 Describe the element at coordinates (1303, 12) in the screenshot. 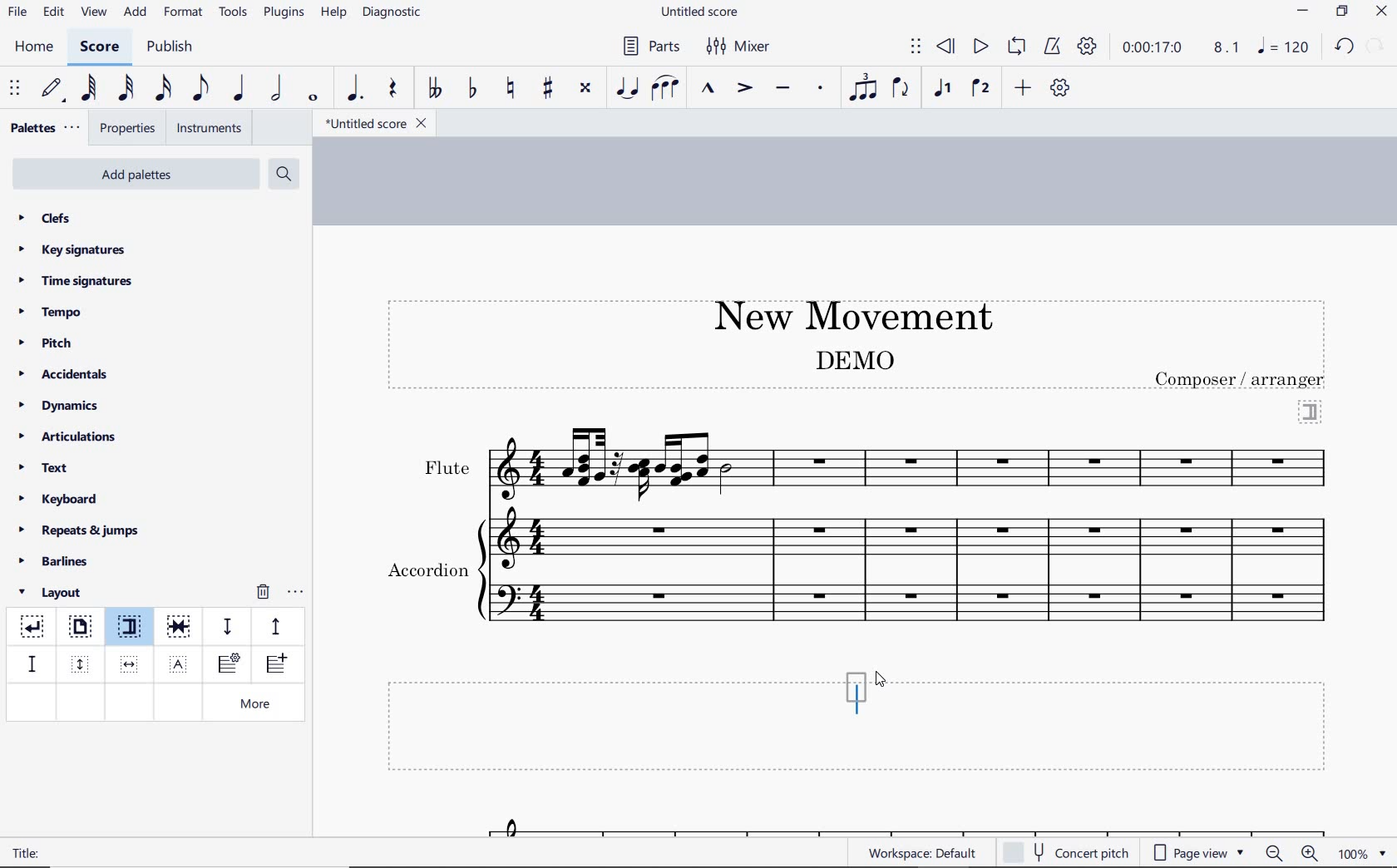

I see `minimize` at that location.